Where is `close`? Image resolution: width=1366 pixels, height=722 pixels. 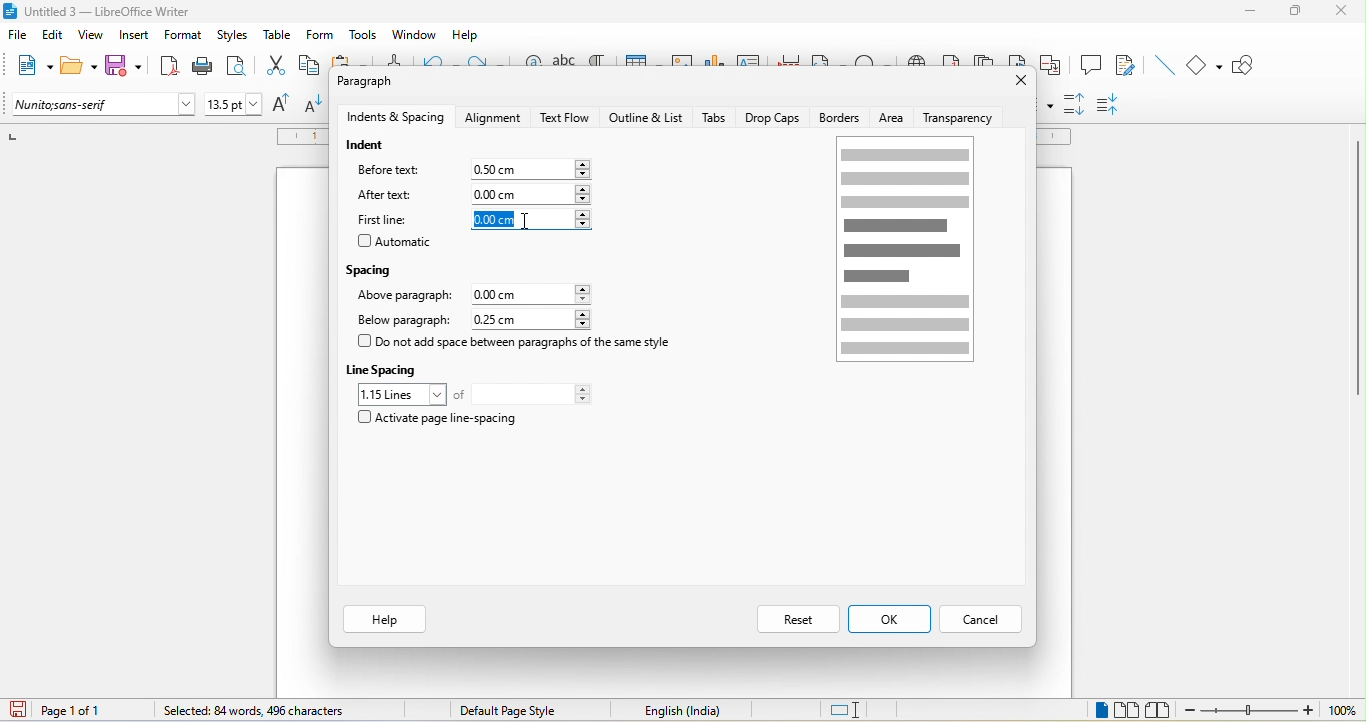
close is located at coordinates (1019, 79).